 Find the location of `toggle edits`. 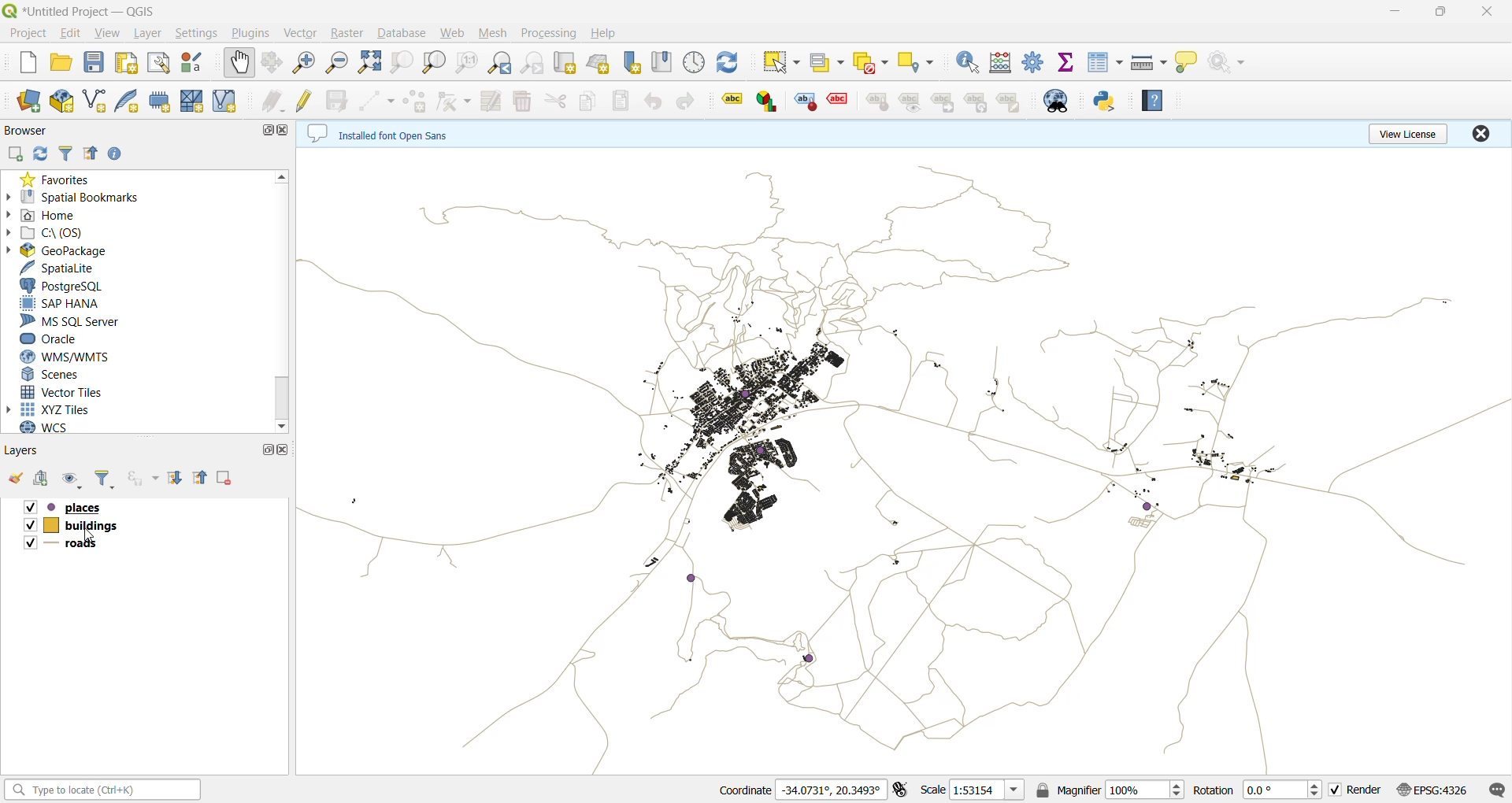

toggle edits is located at coordinates (307, 100).